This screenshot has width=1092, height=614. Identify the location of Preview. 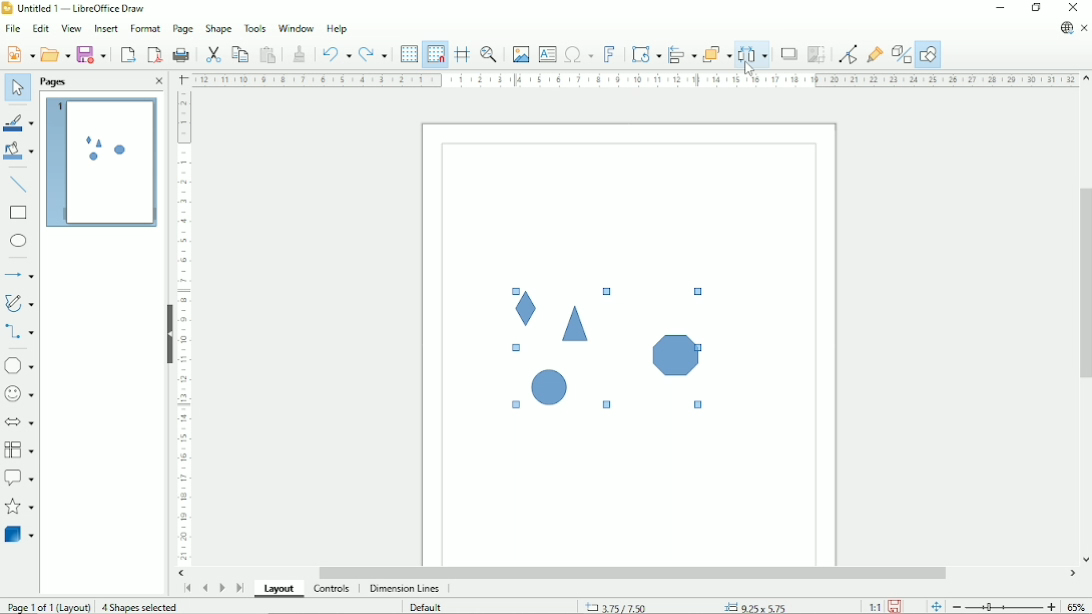
(101, 164).